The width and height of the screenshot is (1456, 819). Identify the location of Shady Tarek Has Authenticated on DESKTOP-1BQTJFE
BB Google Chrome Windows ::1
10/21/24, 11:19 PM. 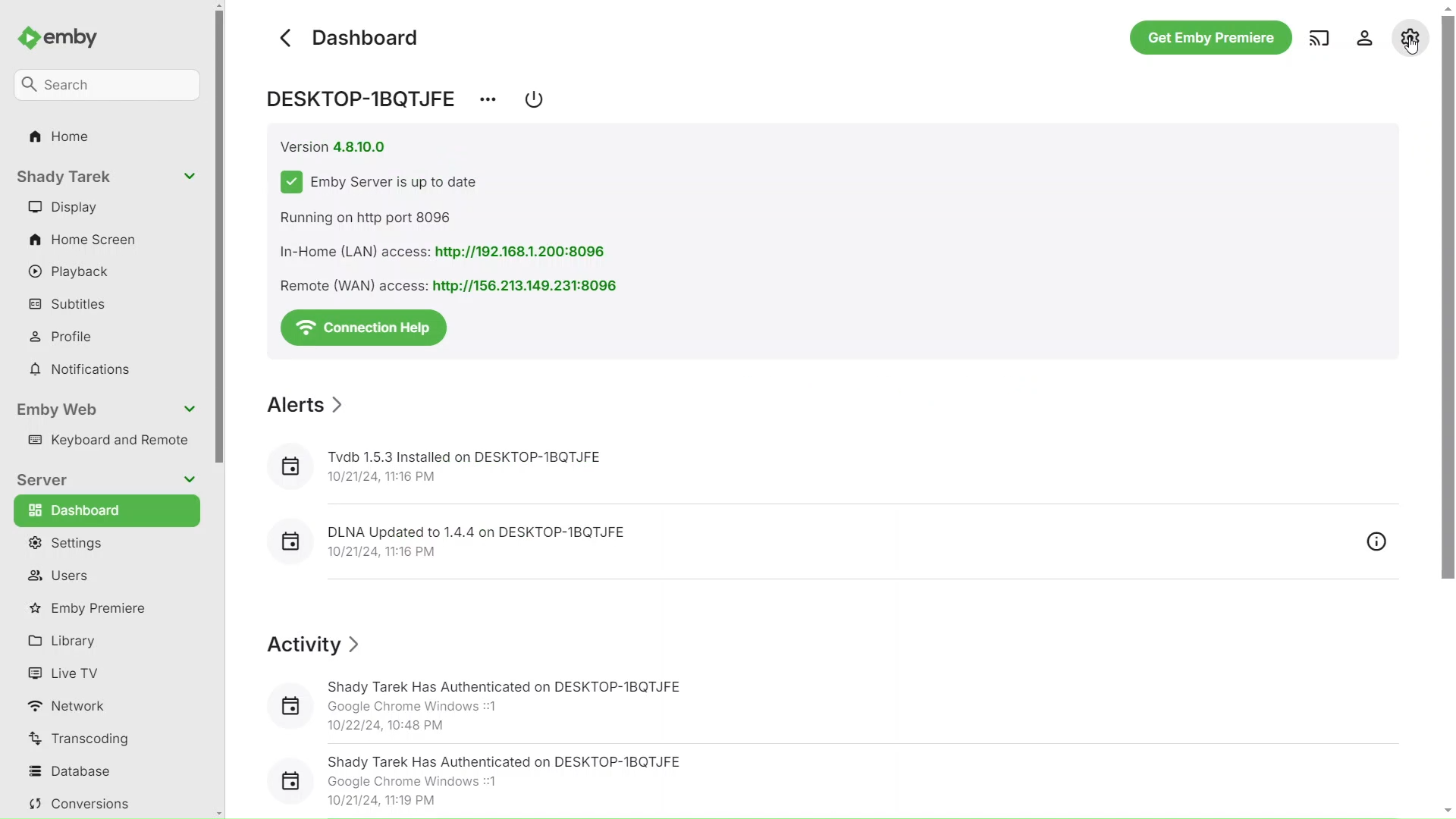
(490, 778).